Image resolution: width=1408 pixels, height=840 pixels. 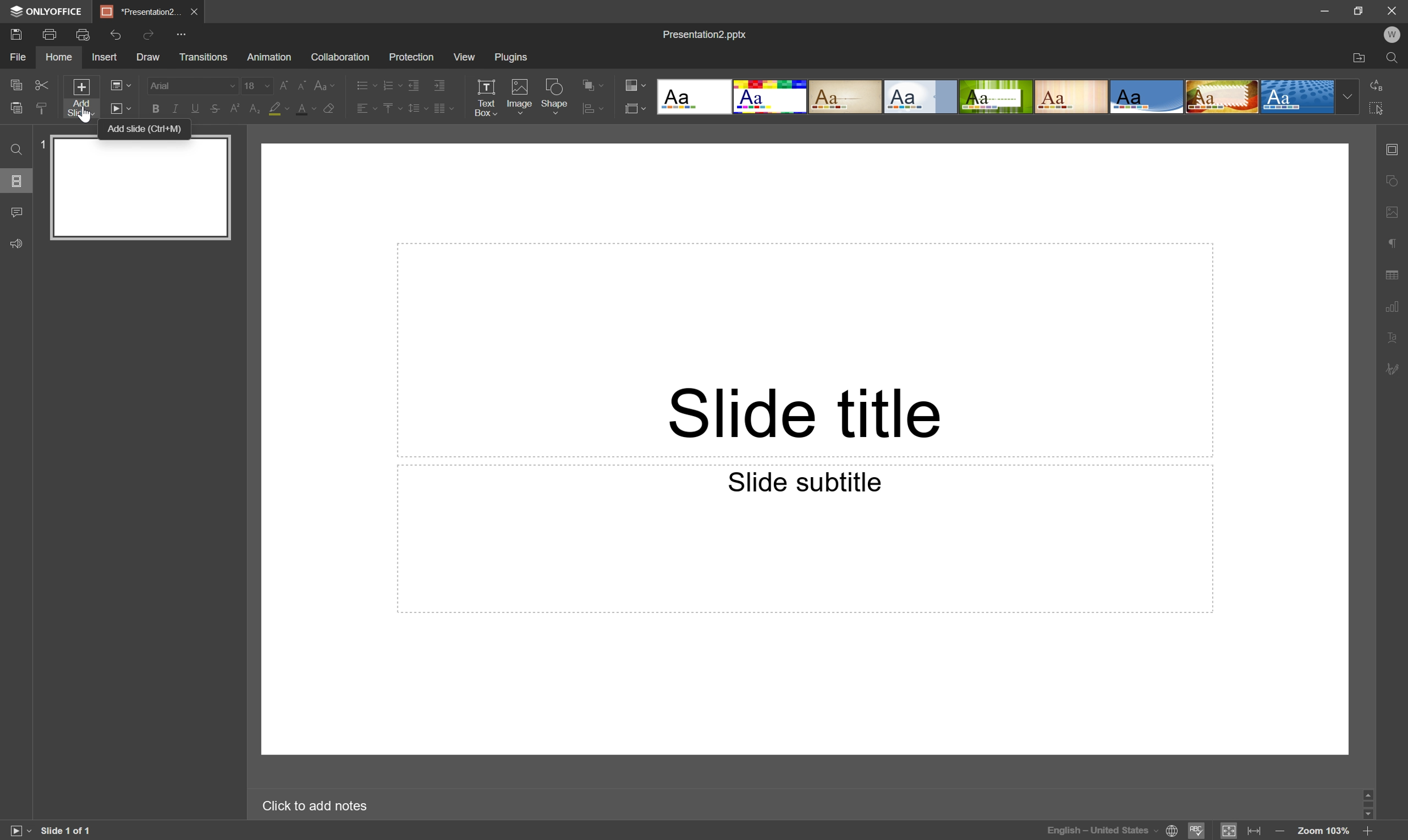 What do you see at coordinates (330, 111) in the screenshot?
I see `Clear style` at bounding box center [330, 111].